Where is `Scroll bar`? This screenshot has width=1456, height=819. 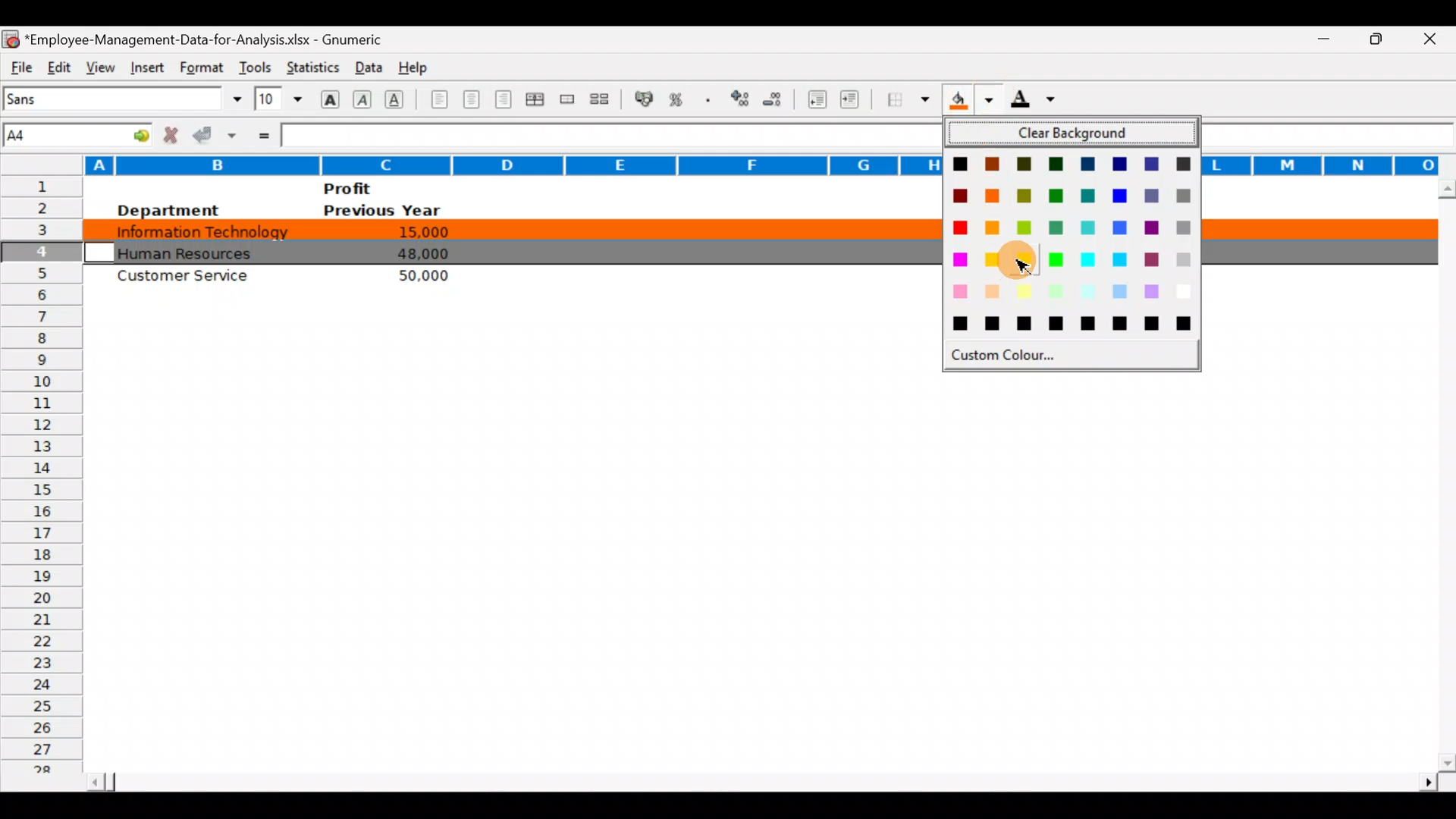 Scroll bar is located at coordinates (759, 777).